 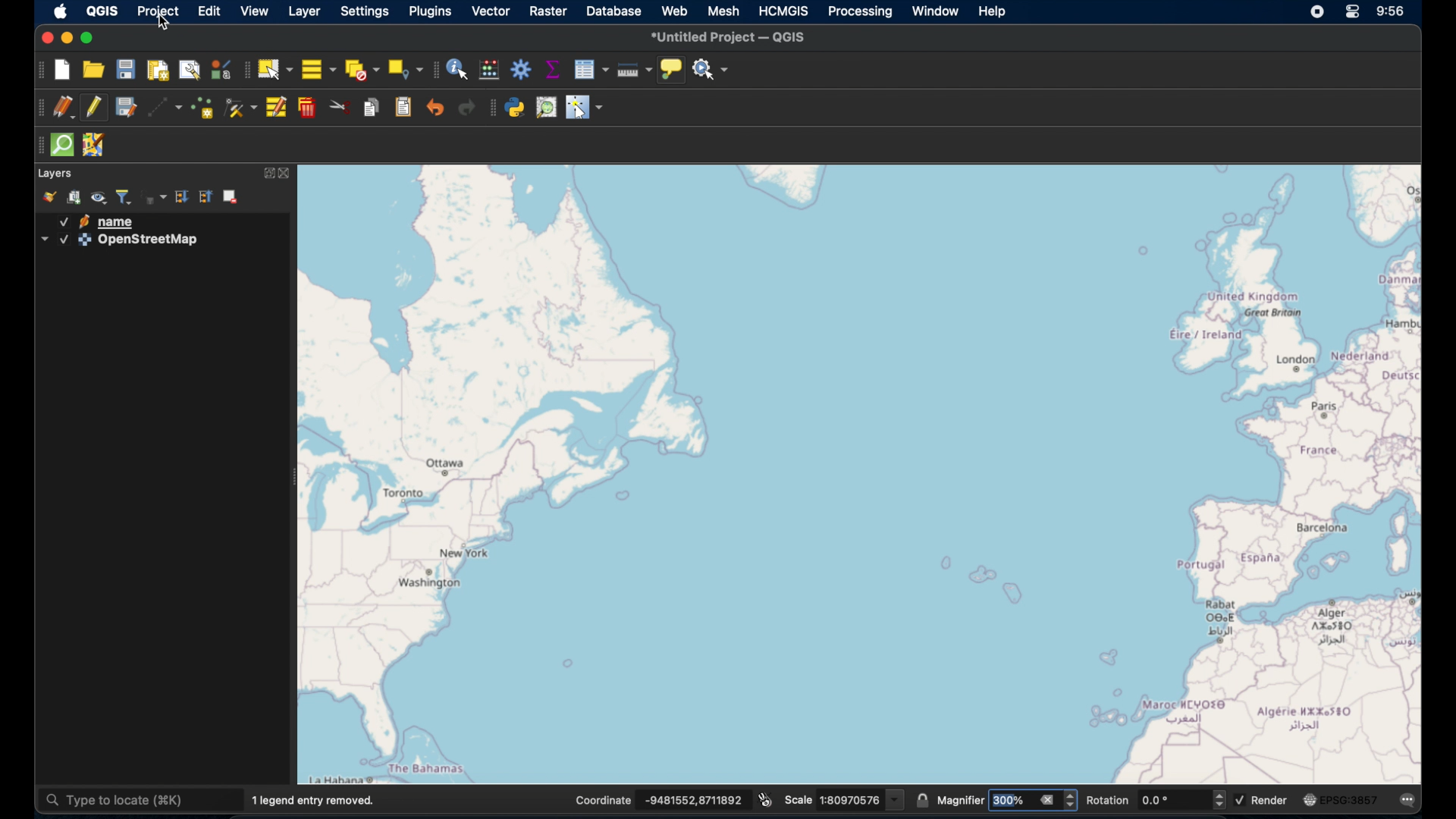 What do you see at coordinates (124, 196) in the screenshot?
I see `filter layer` at bounding box center [124, 196].